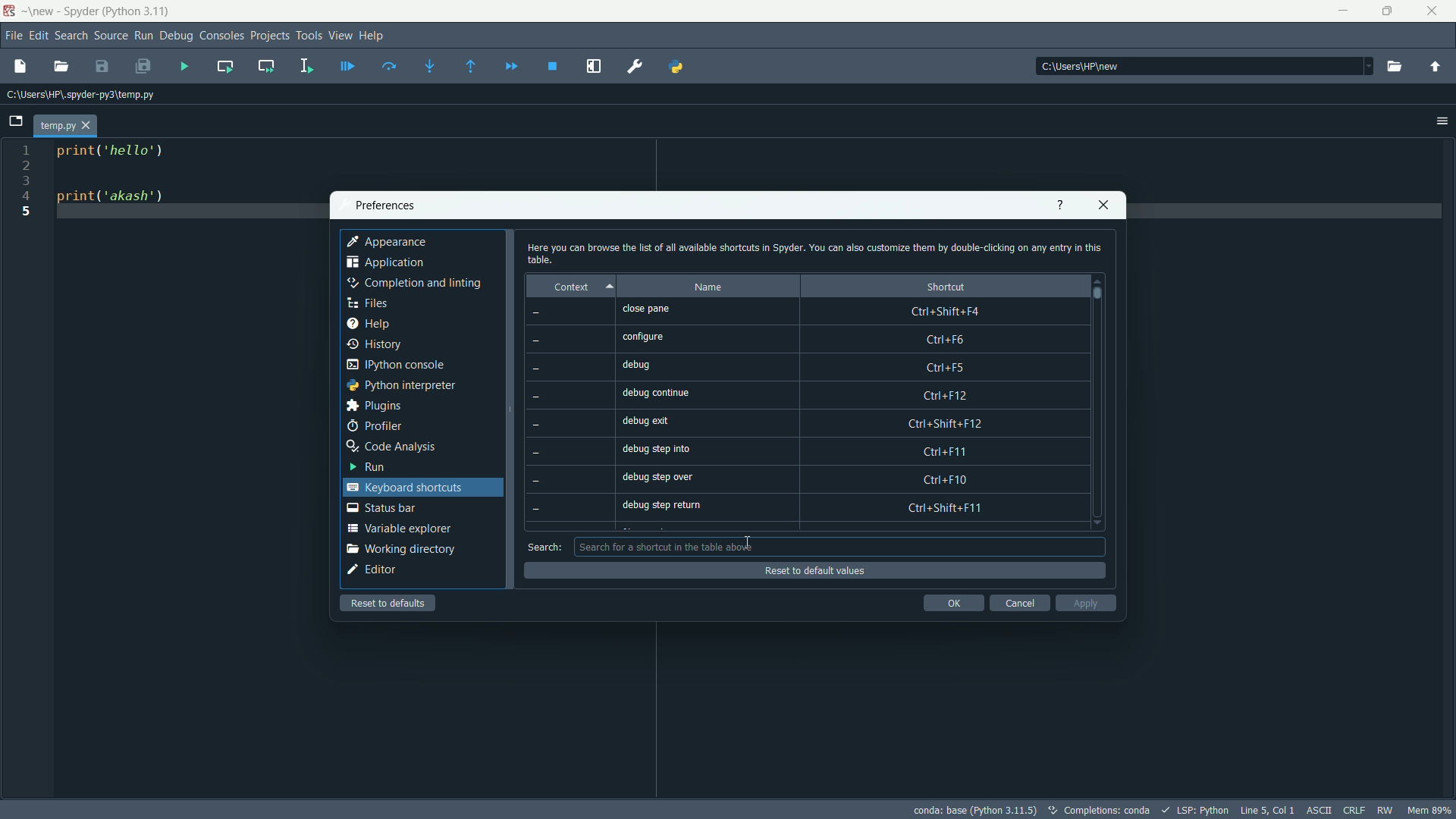  Describe the element at coordinates (676, 67) in the screenshot. I see `python path manager` at that location.